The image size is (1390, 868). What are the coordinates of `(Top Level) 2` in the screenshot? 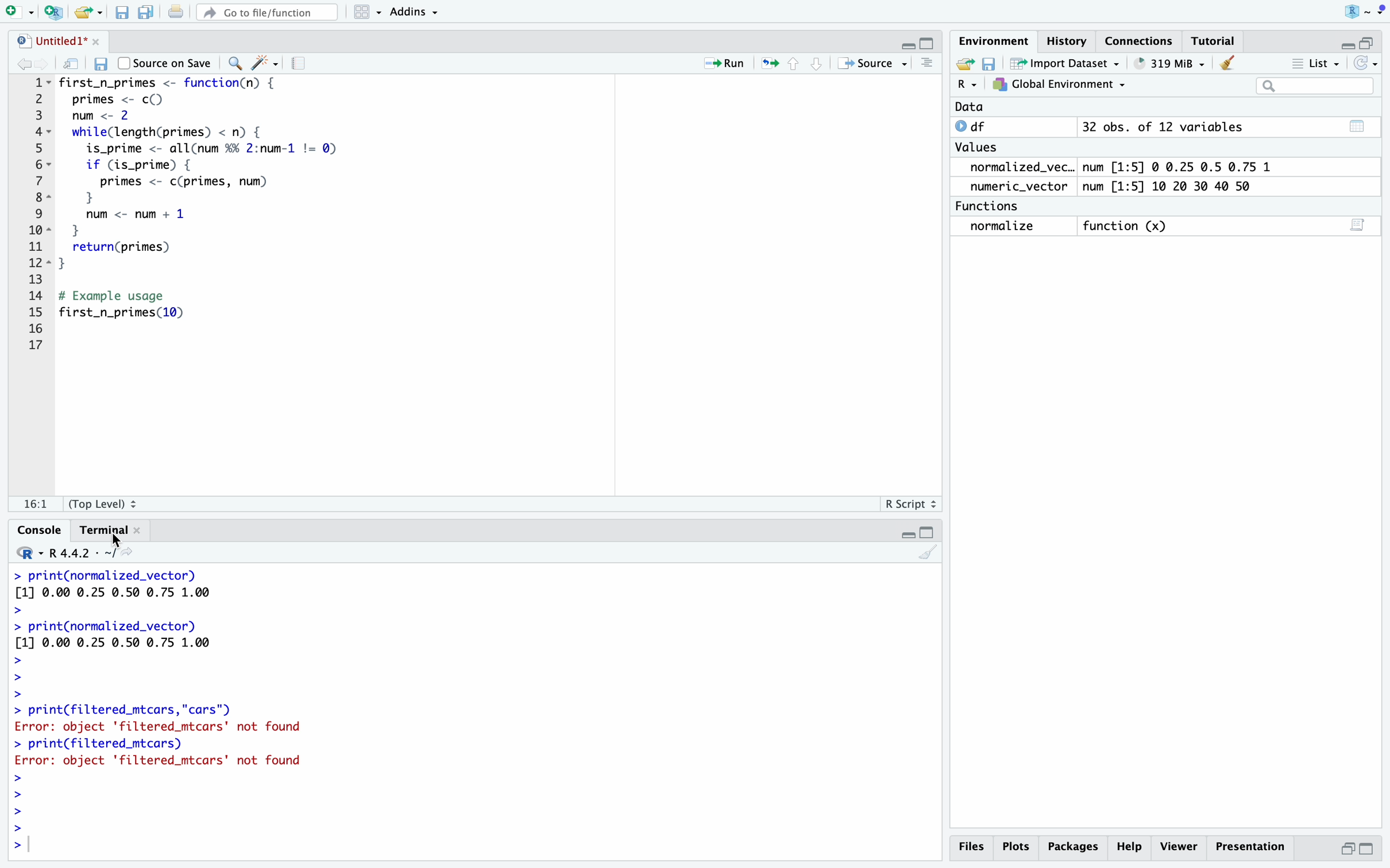 It's located at (115, 501).